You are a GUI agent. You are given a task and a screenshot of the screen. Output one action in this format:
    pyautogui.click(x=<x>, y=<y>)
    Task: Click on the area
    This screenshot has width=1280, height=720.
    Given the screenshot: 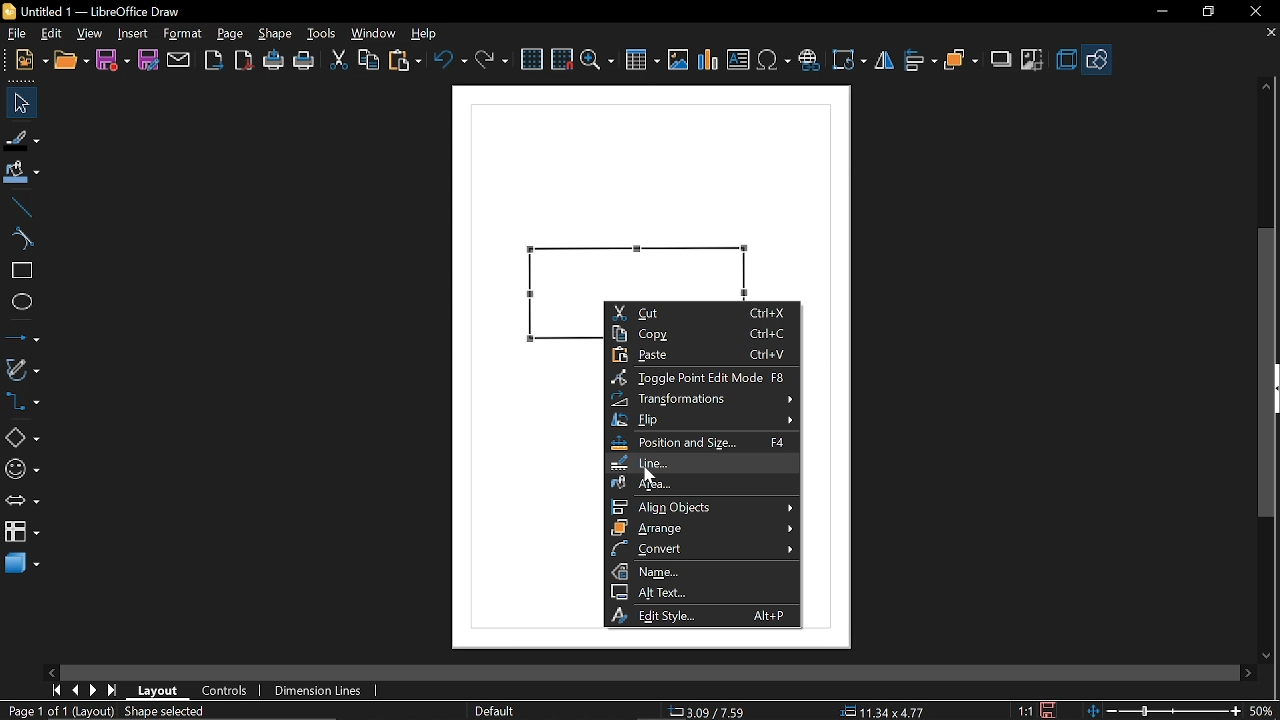 What is the action you would take?
    pyautogui.click(x=698, y=484)
    